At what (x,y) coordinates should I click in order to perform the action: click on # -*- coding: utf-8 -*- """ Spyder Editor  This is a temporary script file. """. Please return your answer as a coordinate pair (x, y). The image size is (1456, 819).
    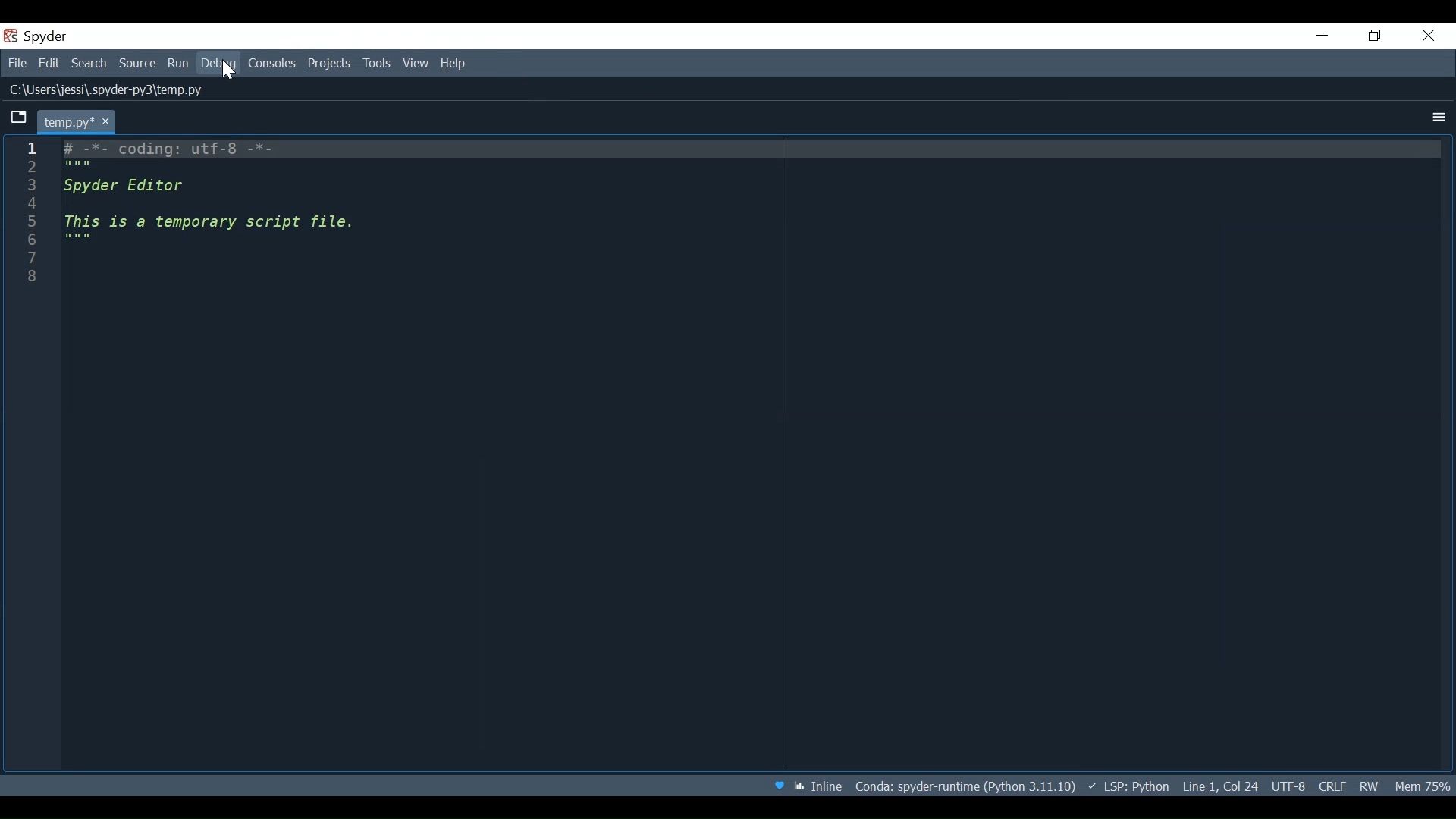
    Looking at the image, I should click on (756, 219).